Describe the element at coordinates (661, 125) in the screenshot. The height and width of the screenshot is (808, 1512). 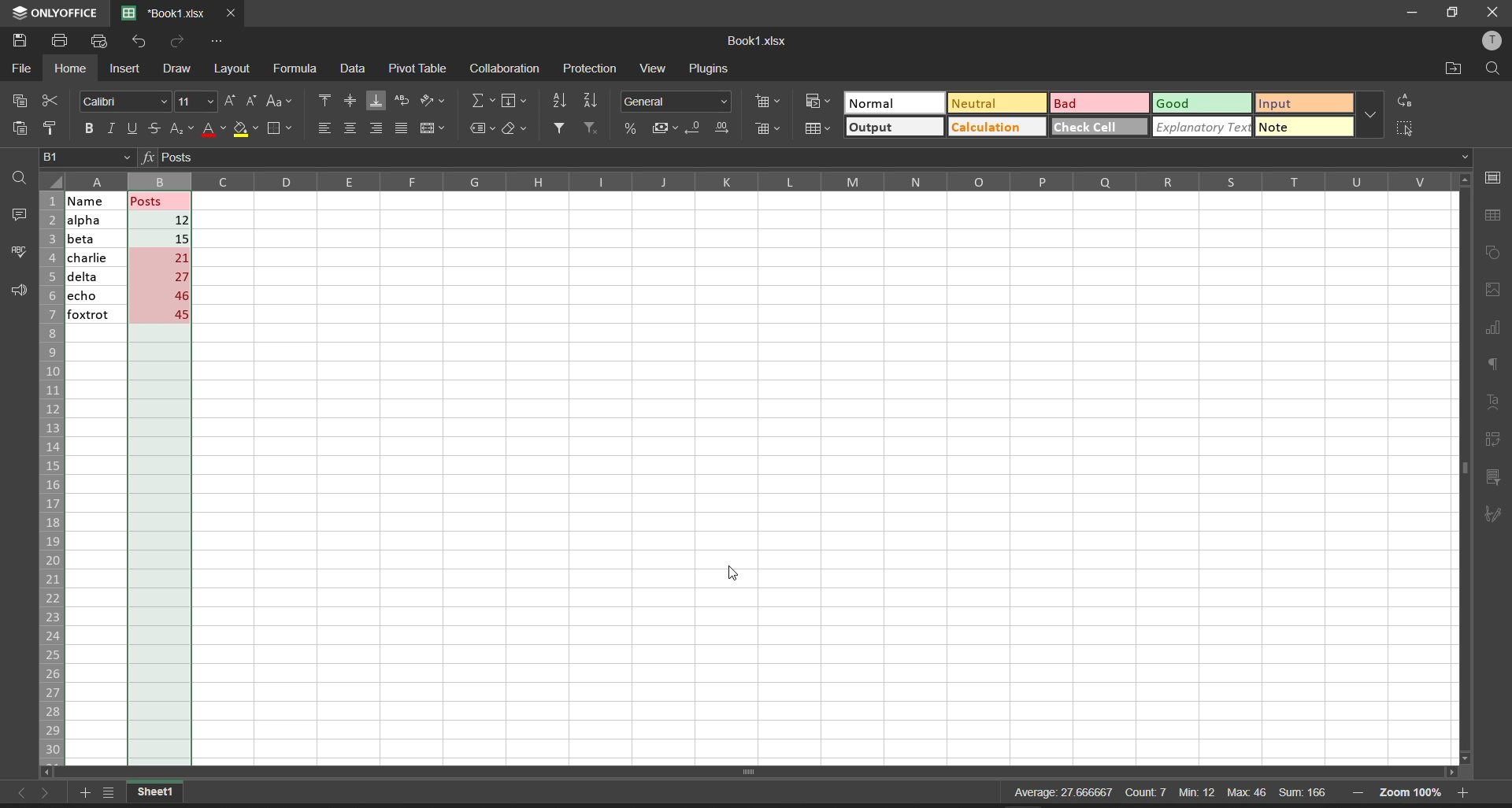
I see `accounting style` at that location.